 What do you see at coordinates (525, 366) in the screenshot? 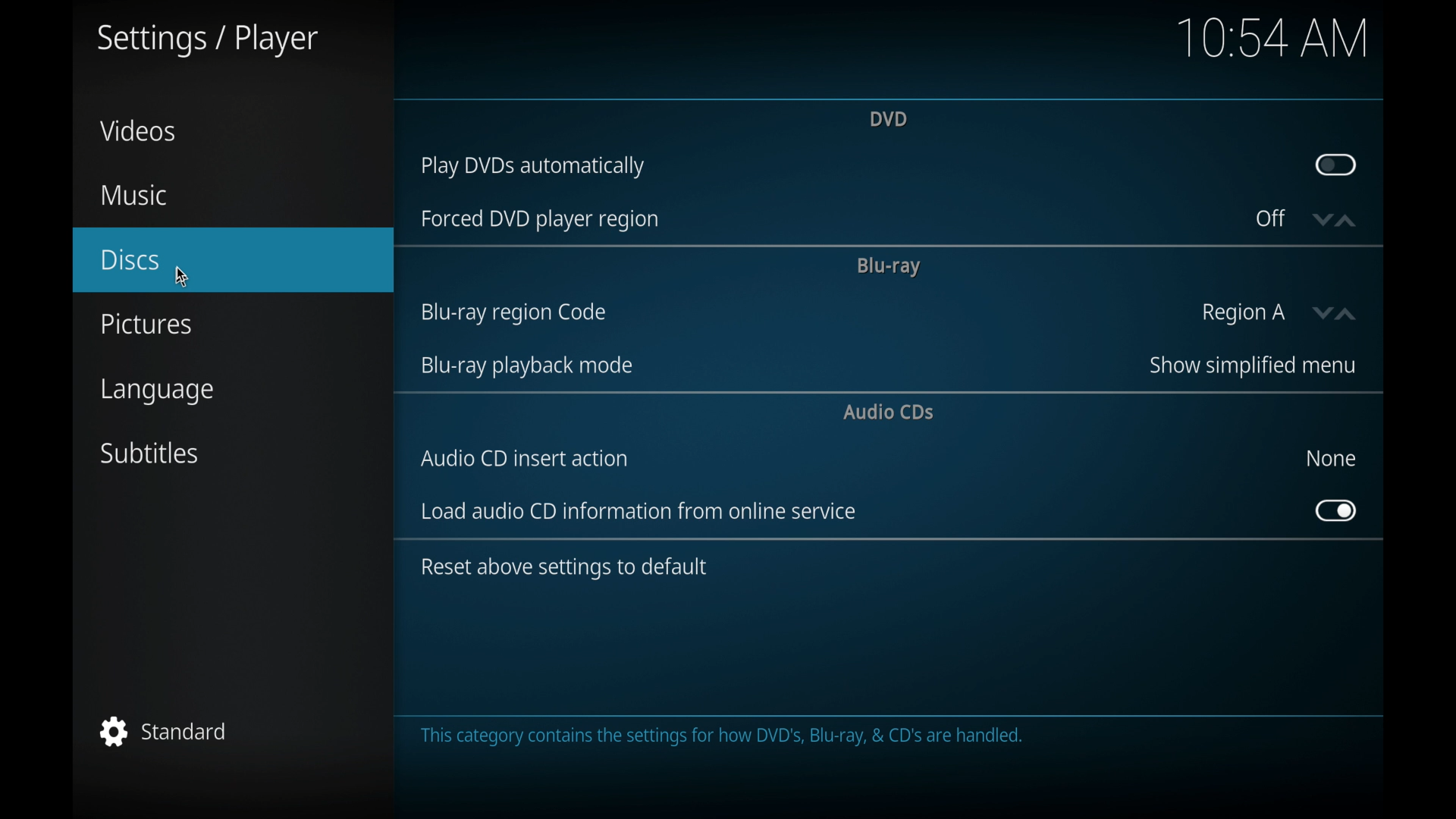
I see `blu-ray playback  mode` at bounding box center [525, 366].